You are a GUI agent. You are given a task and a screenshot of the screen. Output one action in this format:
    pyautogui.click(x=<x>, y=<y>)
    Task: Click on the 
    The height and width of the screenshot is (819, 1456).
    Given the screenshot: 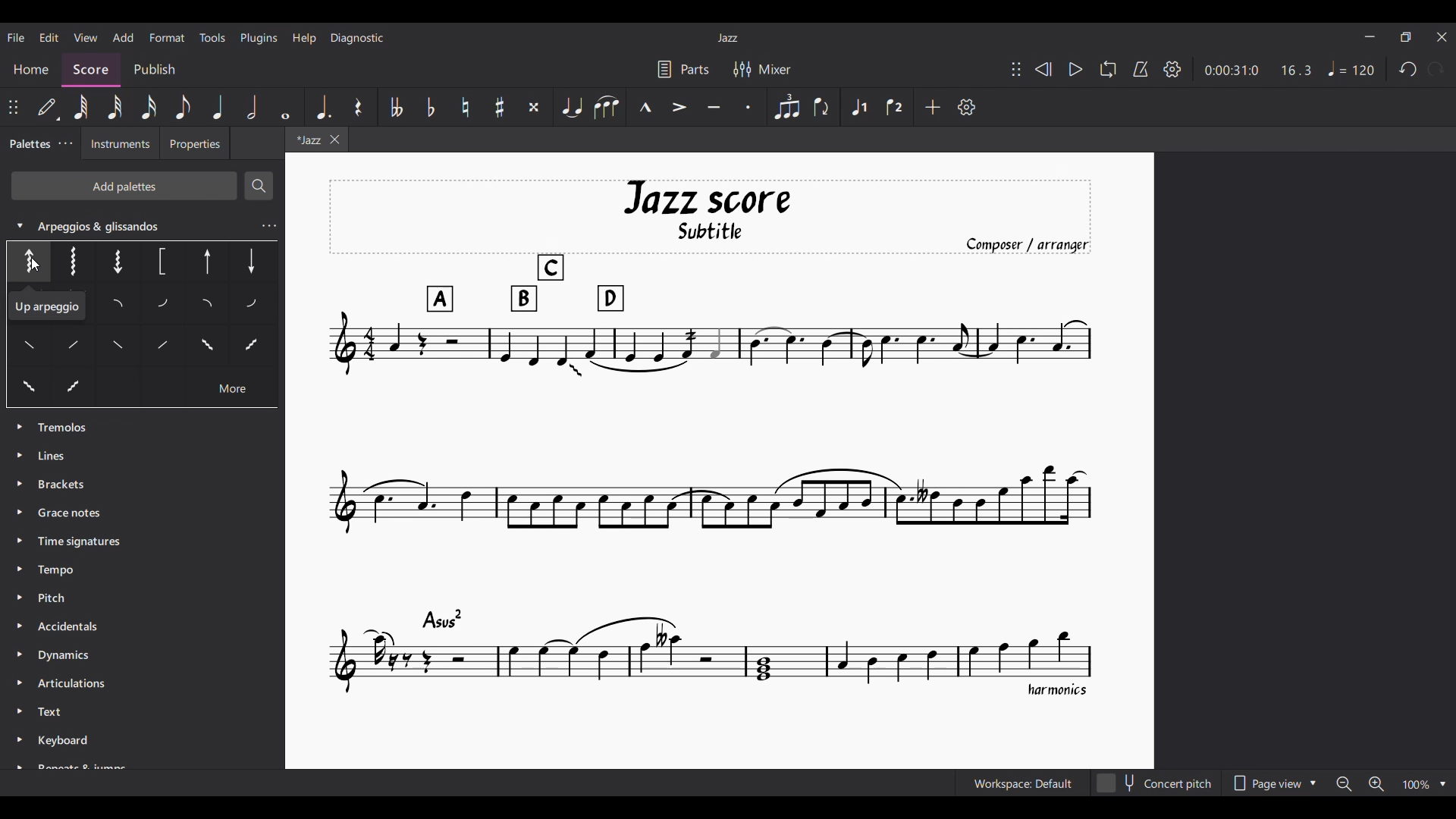 What is the action you would take?
    pyautogui.click(x=161, y=306)
    